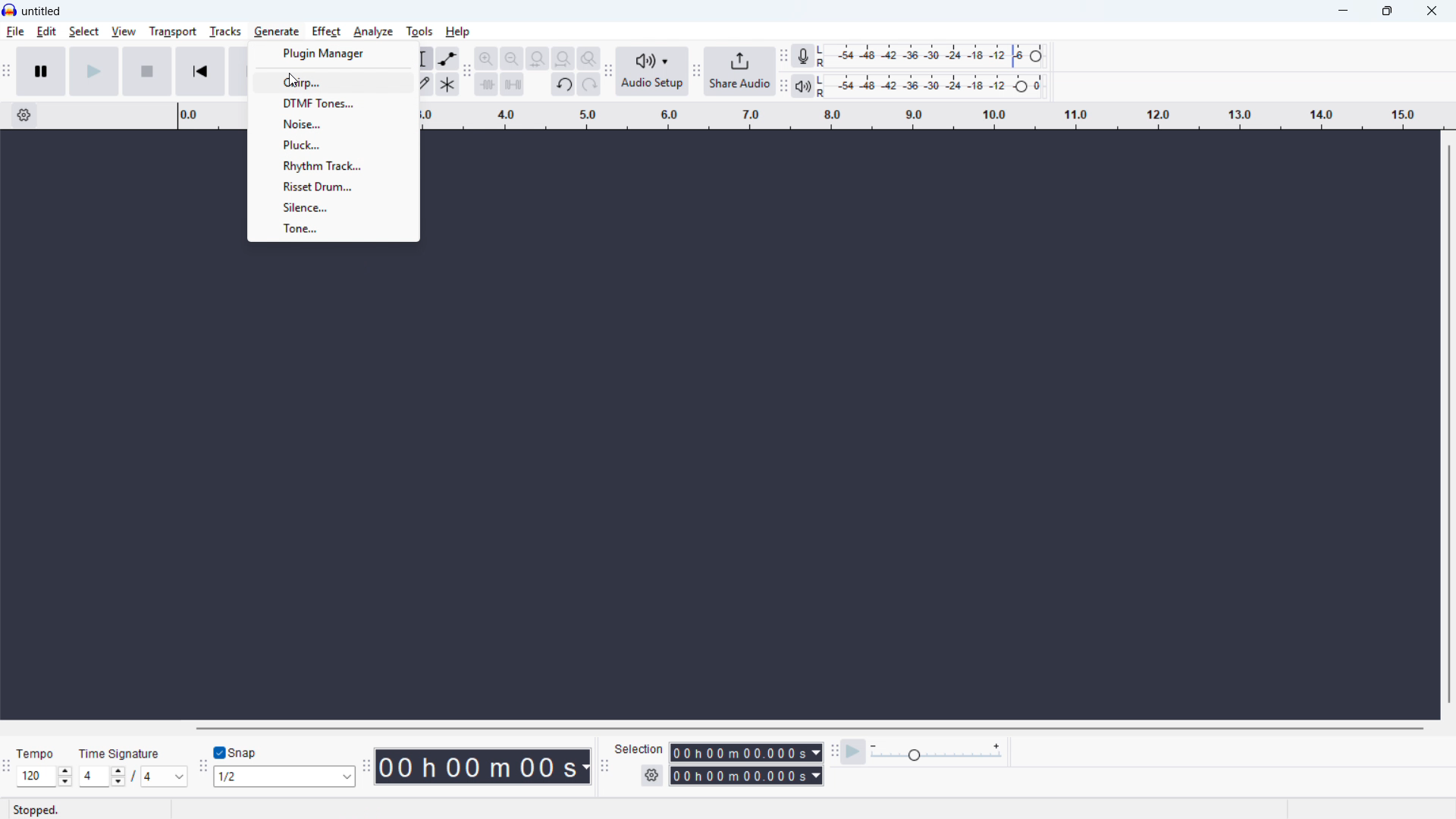  I want to click on stop , so click(147, 71).